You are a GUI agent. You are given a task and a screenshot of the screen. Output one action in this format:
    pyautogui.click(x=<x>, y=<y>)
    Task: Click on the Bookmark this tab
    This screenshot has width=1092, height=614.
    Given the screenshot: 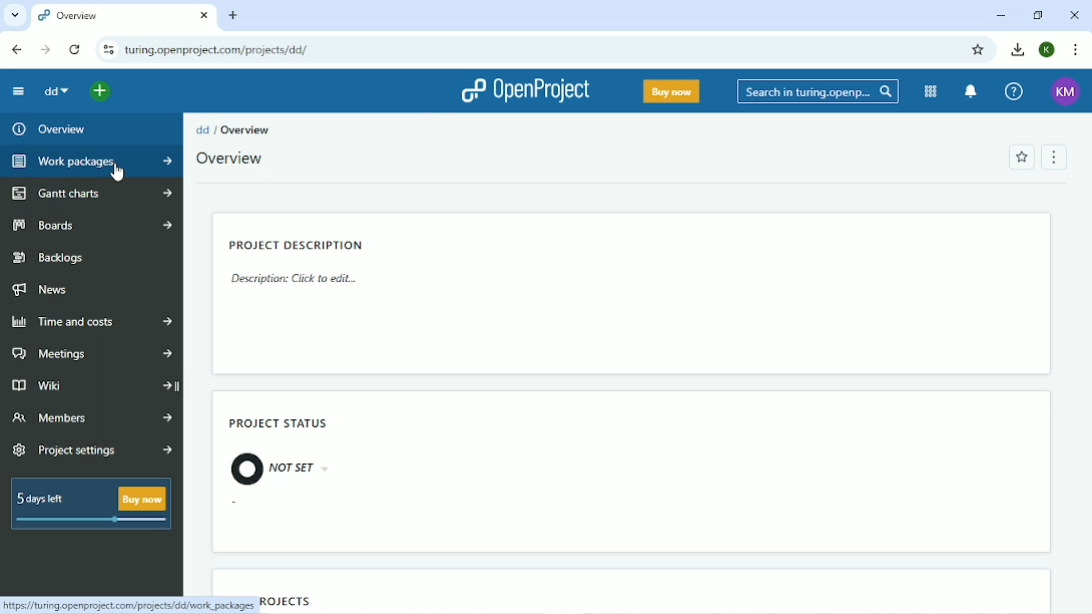 What is the action you would take?
    pyautogui.click(x=977, y=50)
    